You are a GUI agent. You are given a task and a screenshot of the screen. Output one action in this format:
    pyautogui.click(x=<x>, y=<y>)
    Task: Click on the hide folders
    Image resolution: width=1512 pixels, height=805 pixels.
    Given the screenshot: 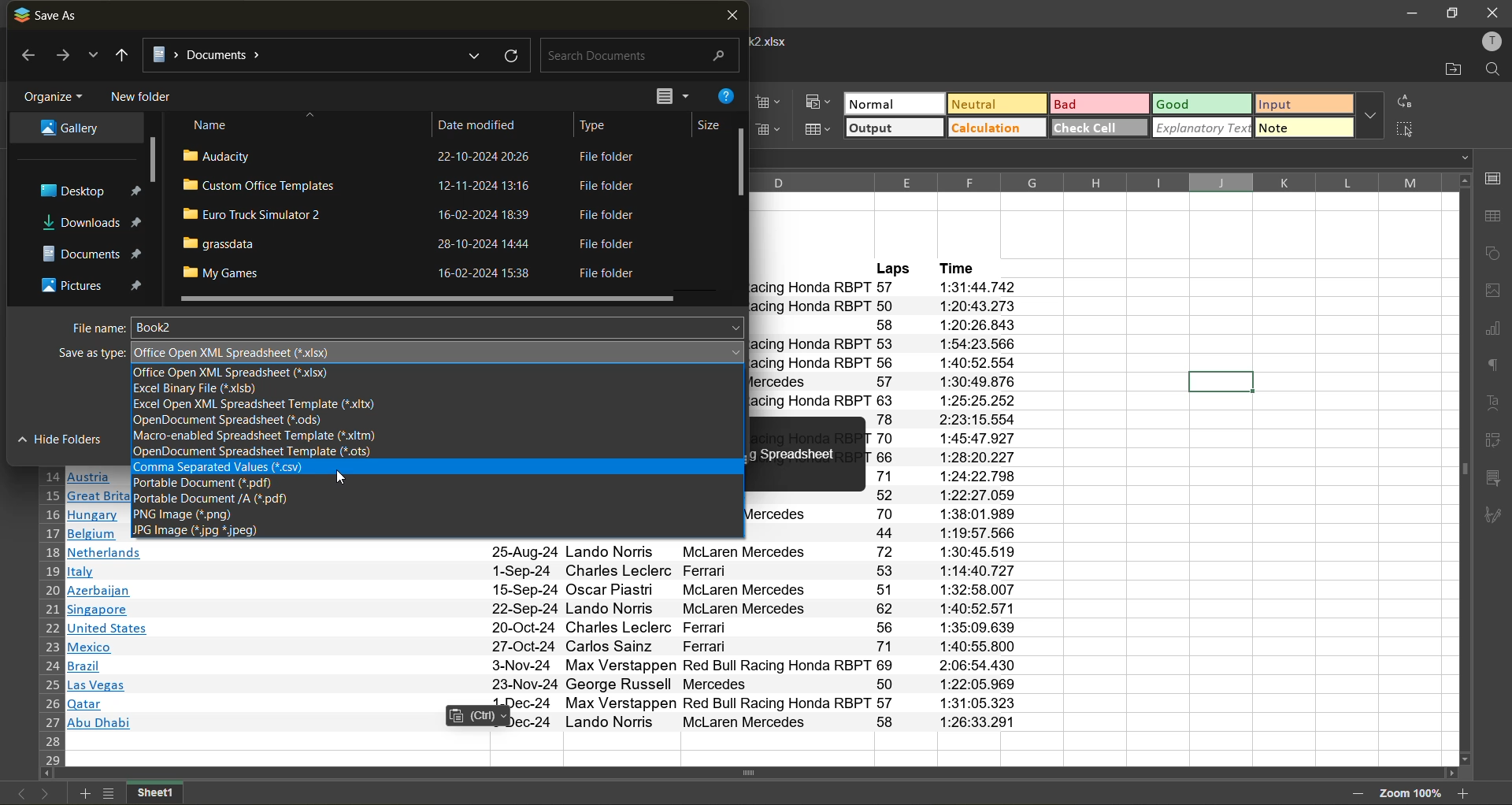 What is the action you would take?
    pyautogui.click(x=56, y=440)
    